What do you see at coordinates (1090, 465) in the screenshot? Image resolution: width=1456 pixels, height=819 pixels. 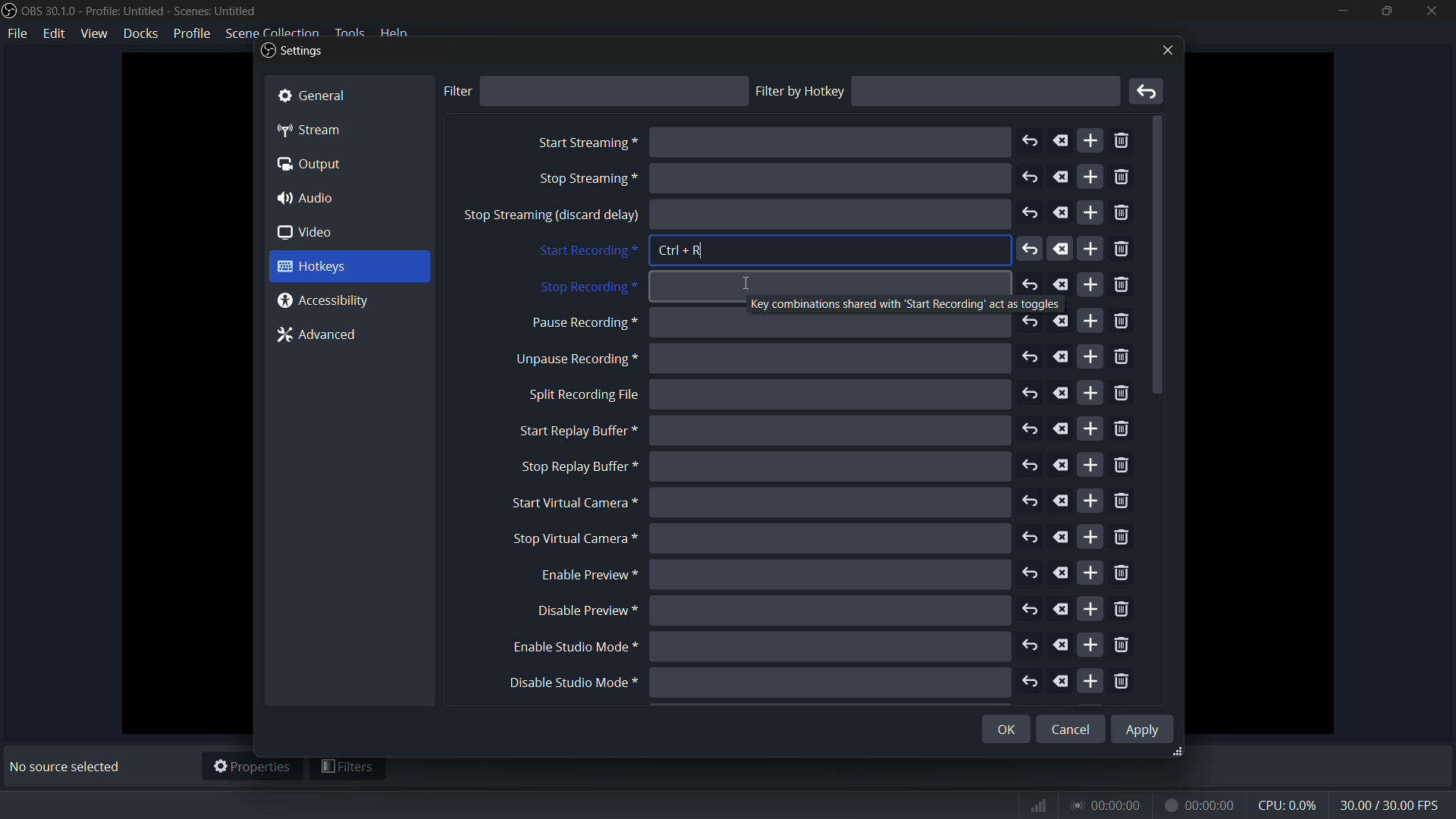 I see `add more` at bounding box center [1090, 465].